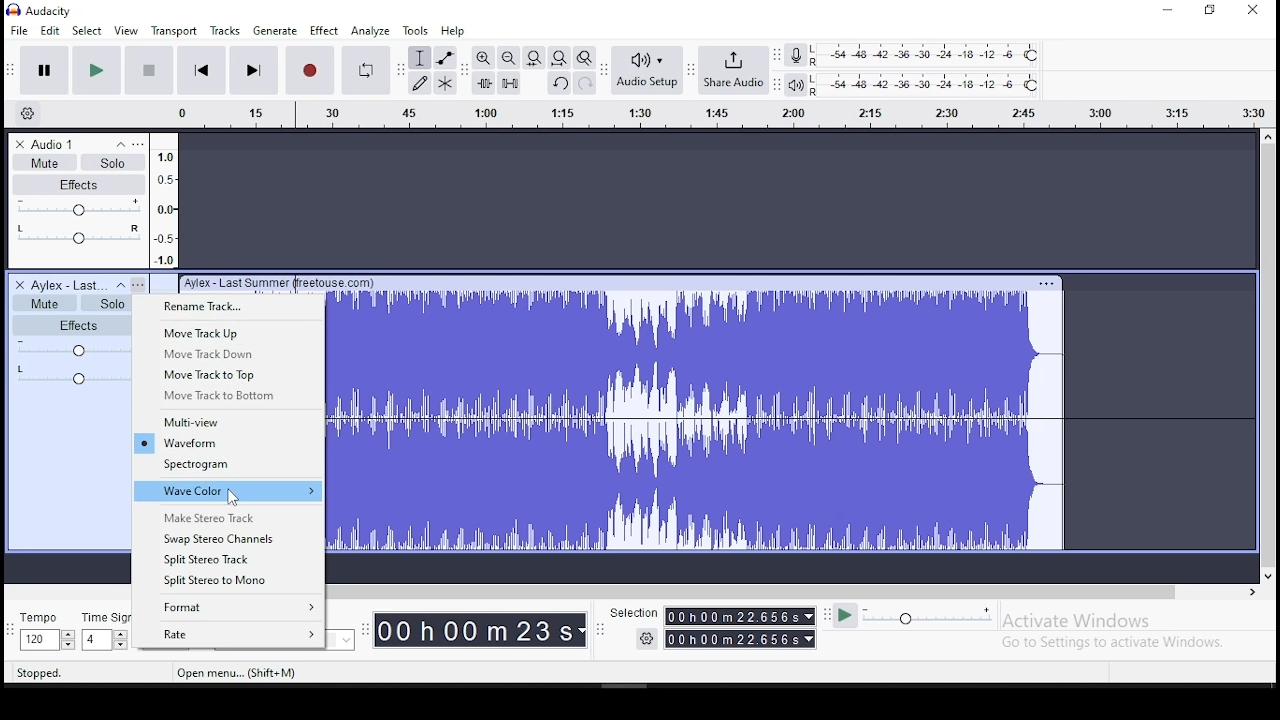  Describe the element at coordinates (227, 515) in the screenshot. I see `make stereo track` at that location.